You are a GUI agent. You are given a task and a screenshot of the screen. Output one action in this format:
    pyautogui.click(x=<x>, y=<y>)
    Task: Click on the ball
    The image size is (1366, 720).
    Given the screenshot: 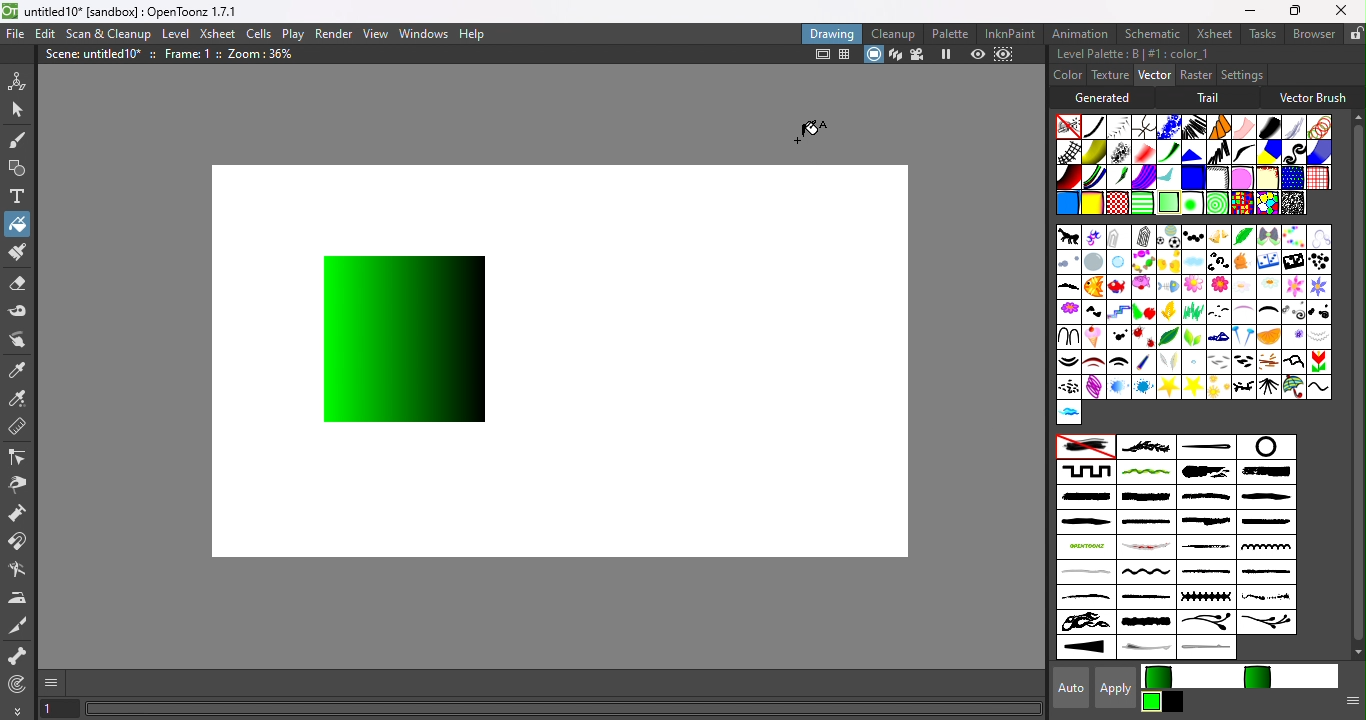 What is the action you would take?
    pyautogui.click(x=1168, y=237)
    